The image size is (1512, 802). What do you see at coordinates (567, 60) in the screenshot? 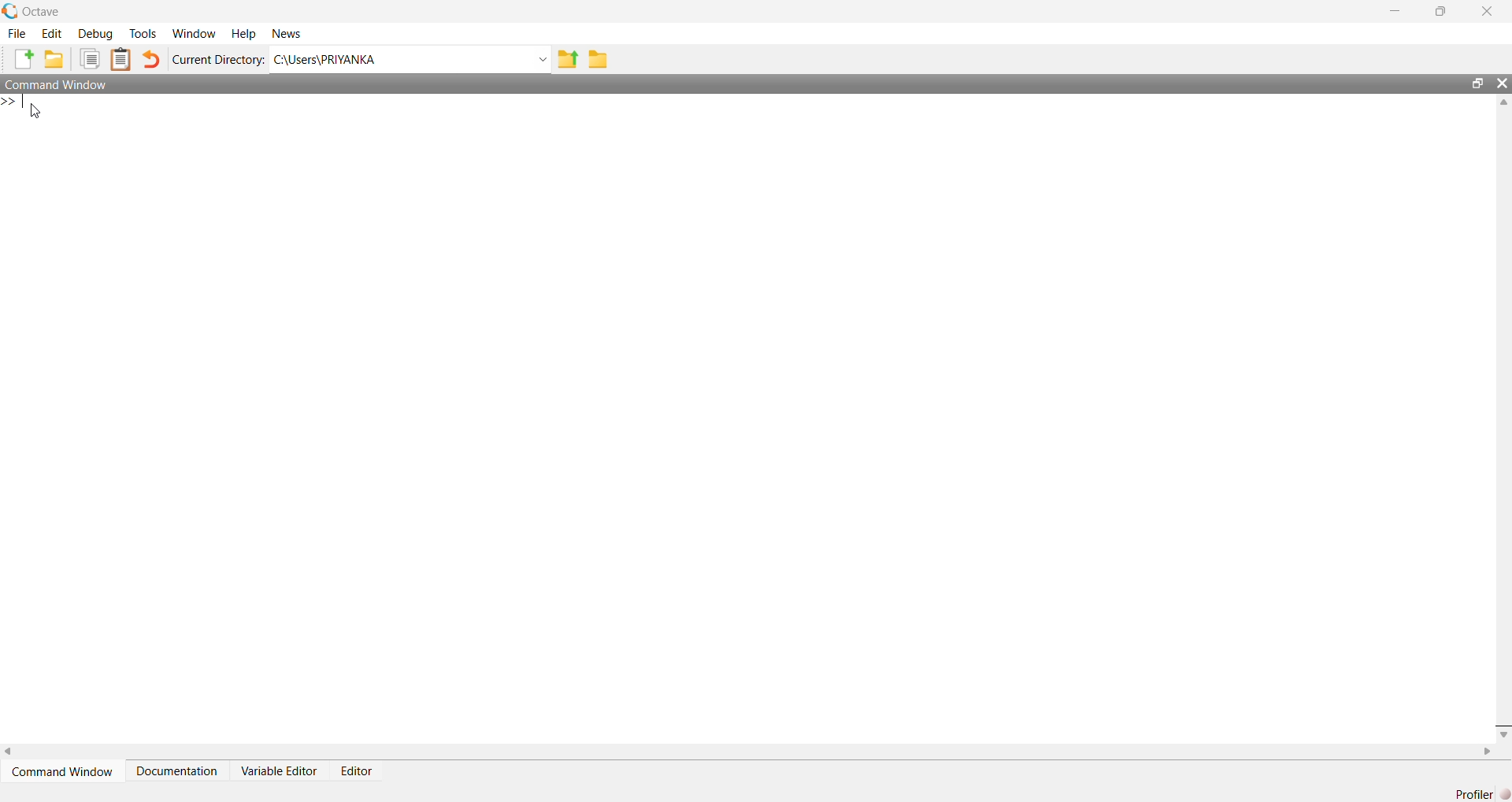
I see `share folder` at bounding box center [567, 60].